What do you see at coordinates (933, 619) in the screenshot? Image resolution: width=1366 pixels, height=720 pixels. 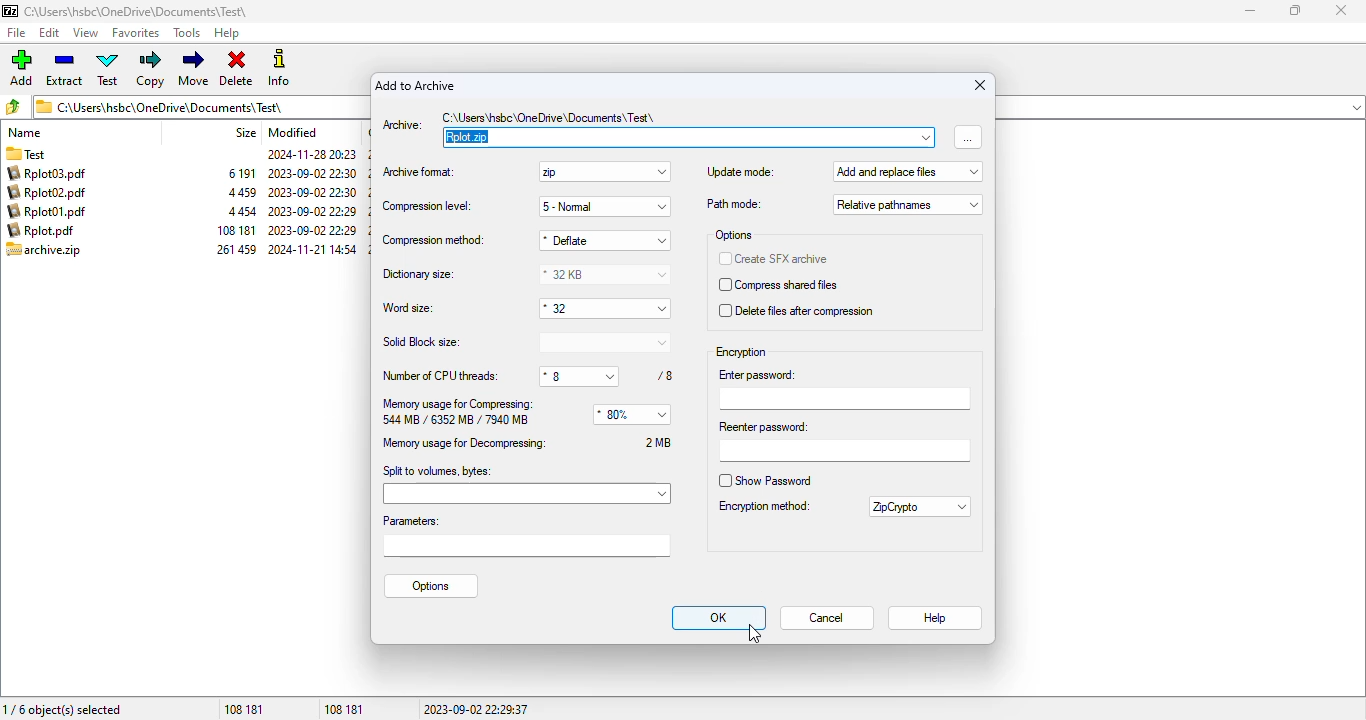 I see `help` at bounding box center [933, 619].